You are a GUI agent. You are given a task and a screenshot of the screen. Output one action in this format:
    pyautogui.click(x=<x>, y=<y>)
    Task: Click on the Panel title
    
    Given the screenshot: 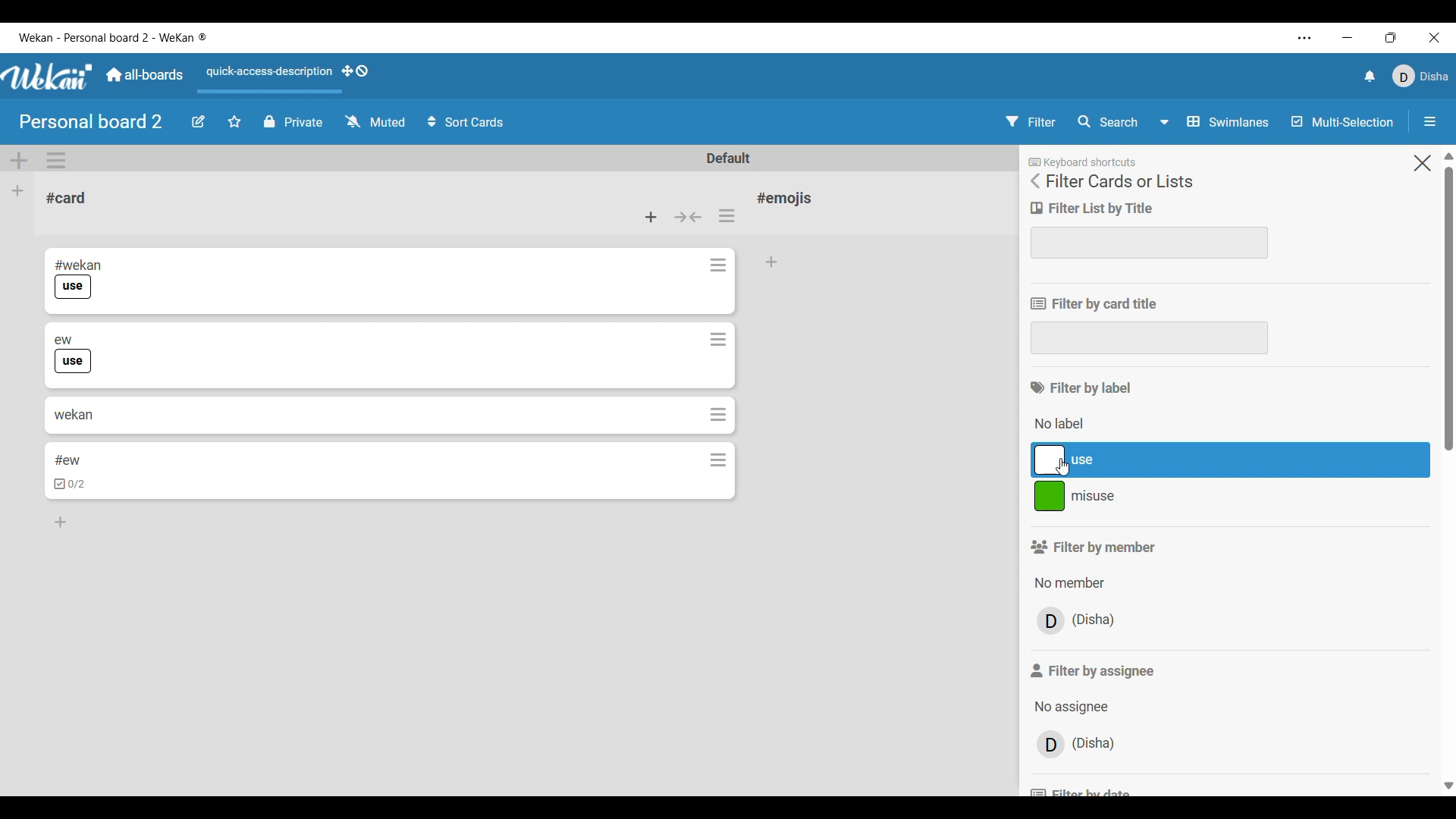 What is the action you would take?
    pyautogui.click(x=1119, y=181)
    